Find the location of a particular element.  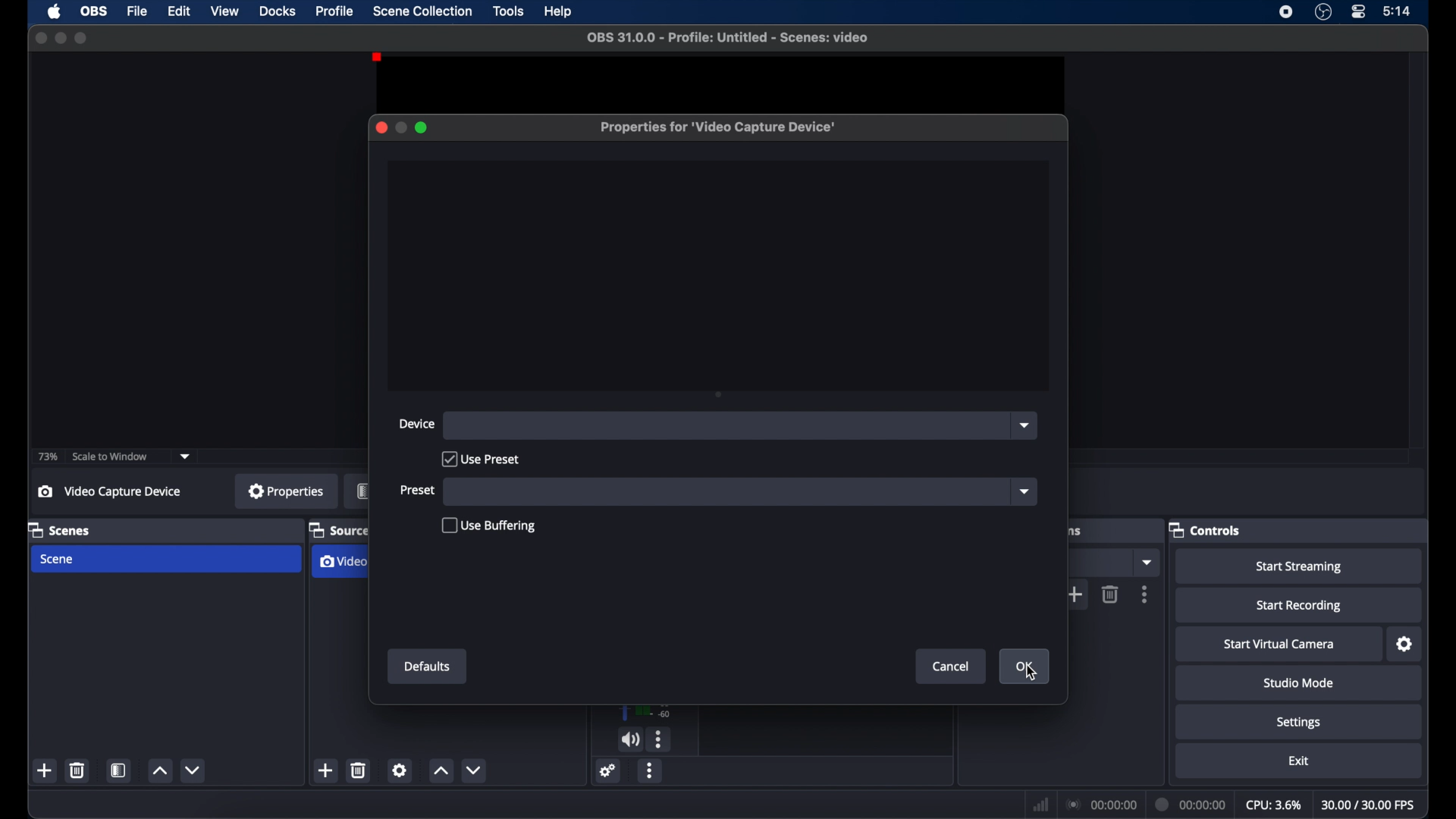

maximize is located at coordinates (422, 127).